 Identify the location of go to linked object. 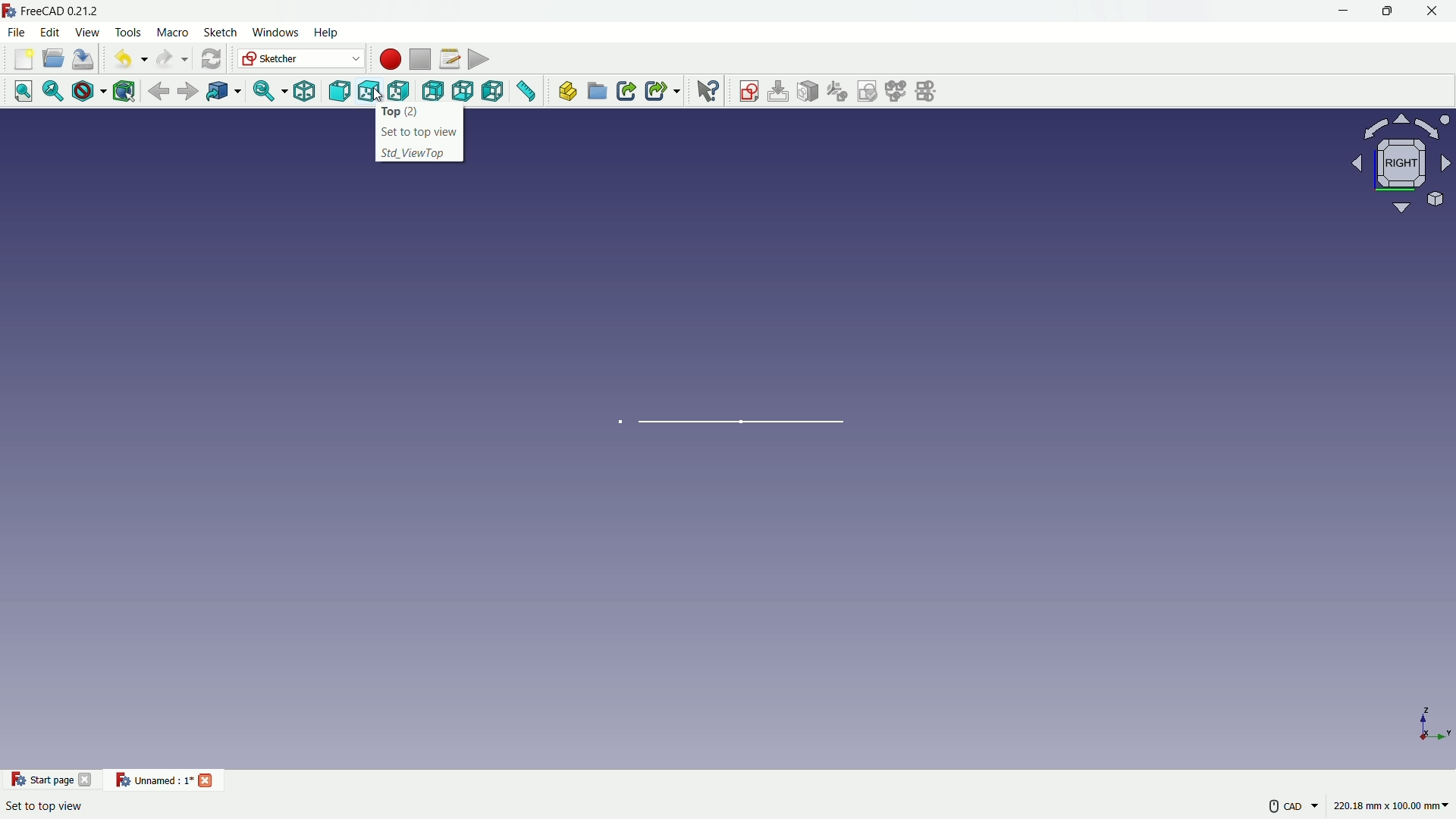
(223, 91).